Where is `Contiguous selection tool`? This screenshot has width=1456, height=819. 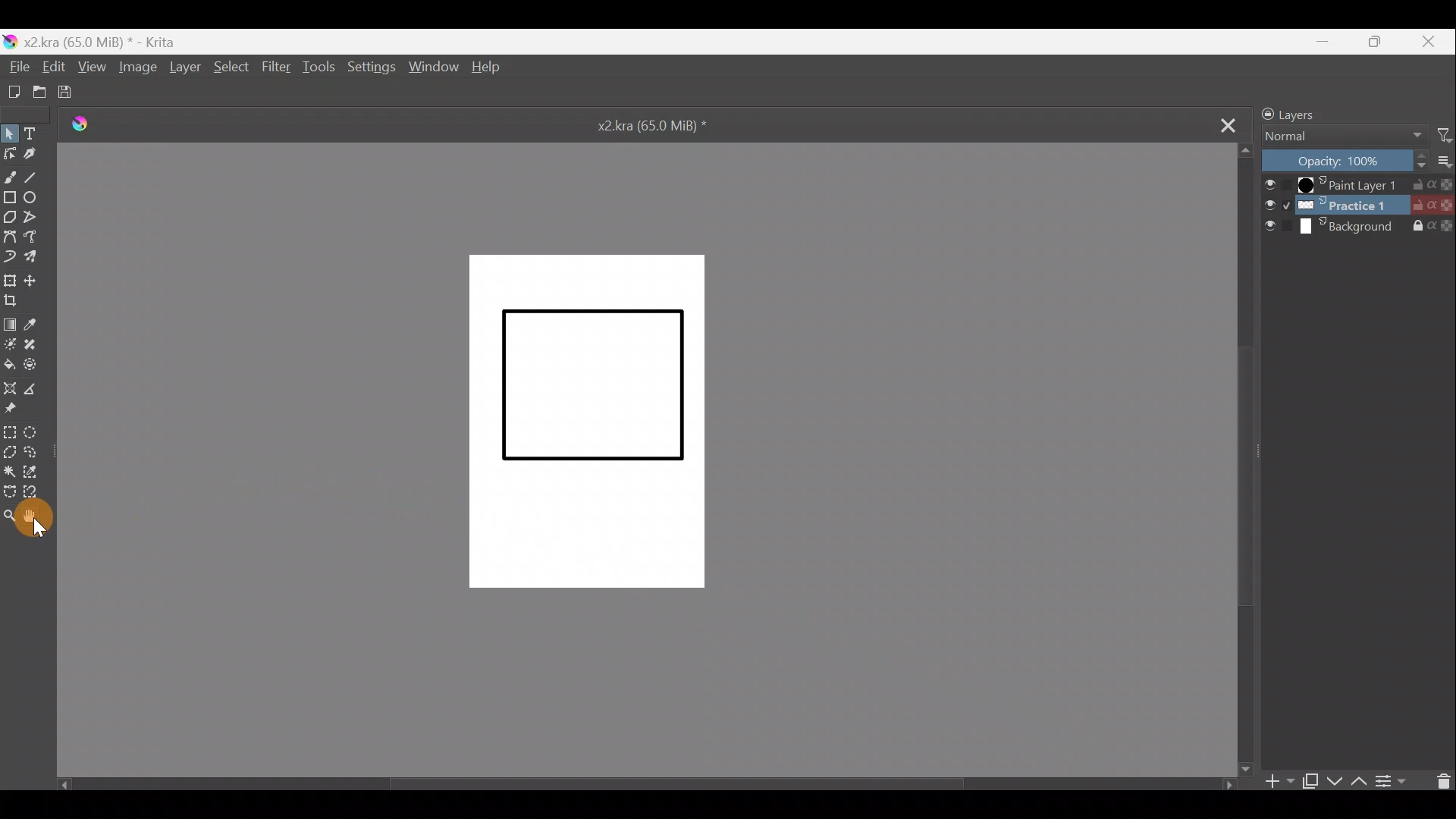
Contiguous selection tool is located at coordinates (10, 472).